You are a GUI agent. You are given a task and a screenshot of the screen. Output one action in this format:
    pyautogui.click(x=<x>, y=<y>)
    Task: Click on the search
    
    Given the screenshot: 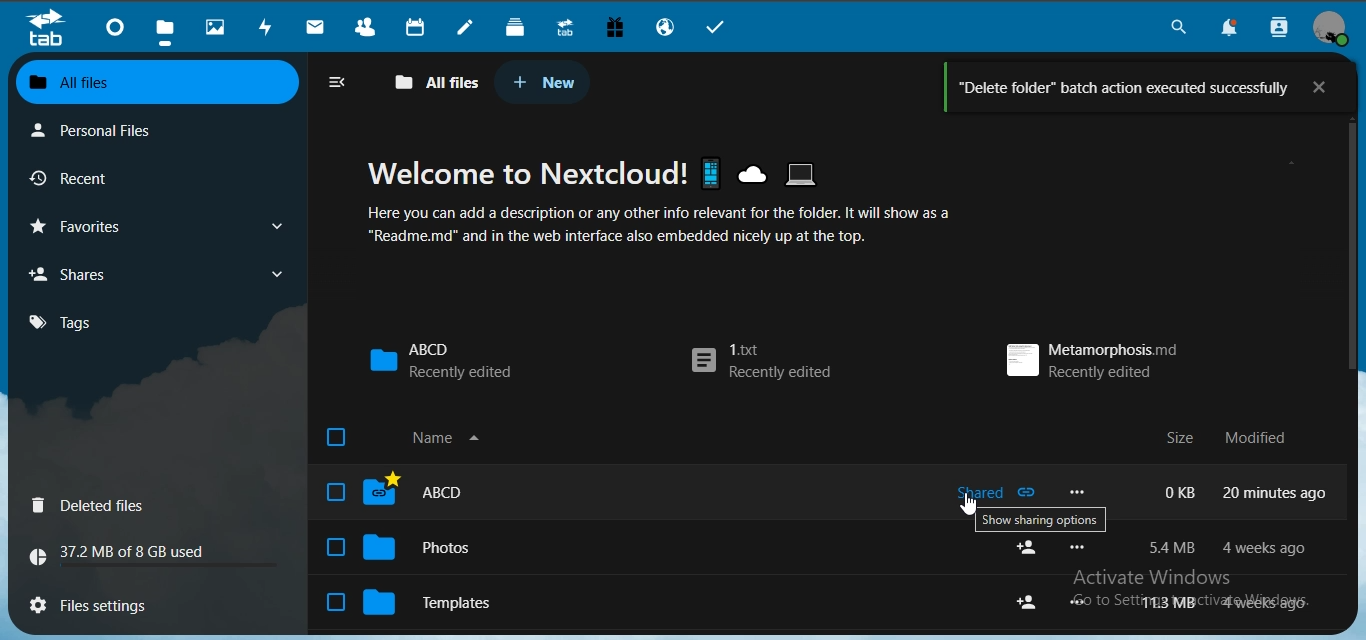 What is the action you would take?
    pyautogui.click(x=1176, y=27)
    